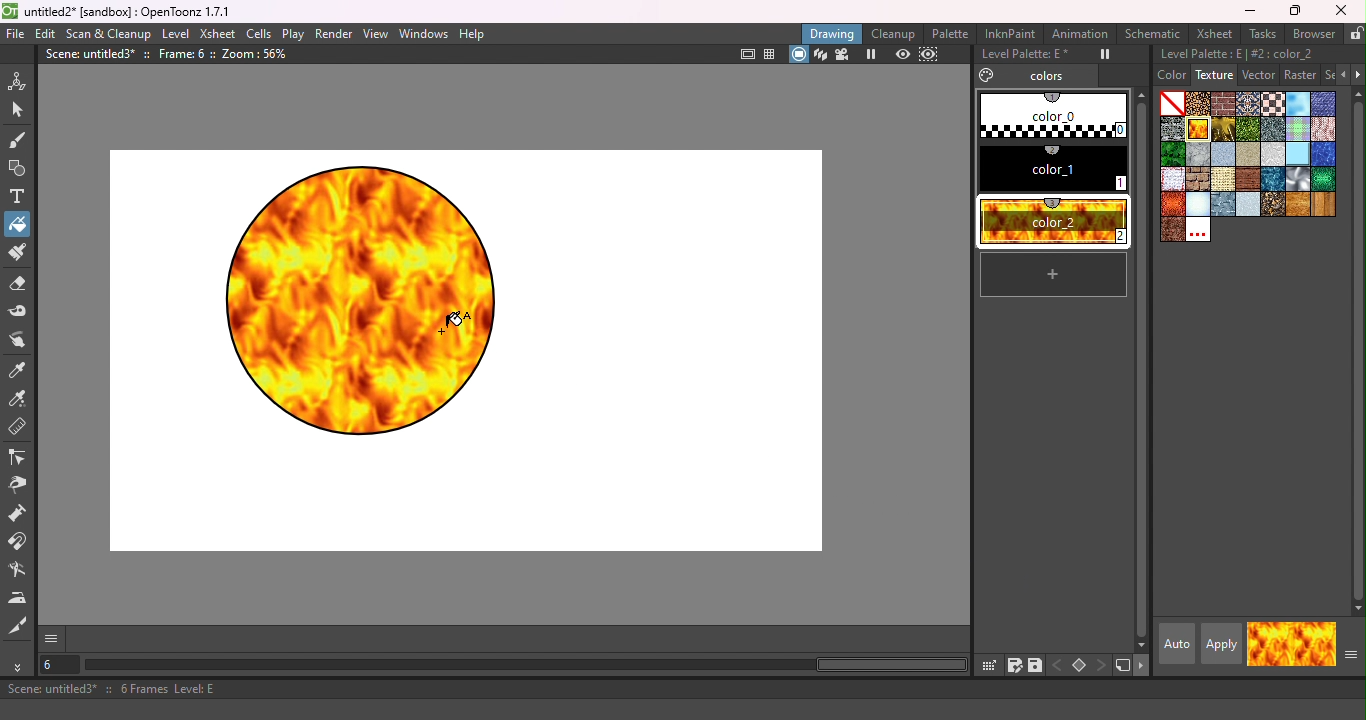 The image size is (1366, 720). I want to click on roughcanvas.bmp, so click(1224, 180).